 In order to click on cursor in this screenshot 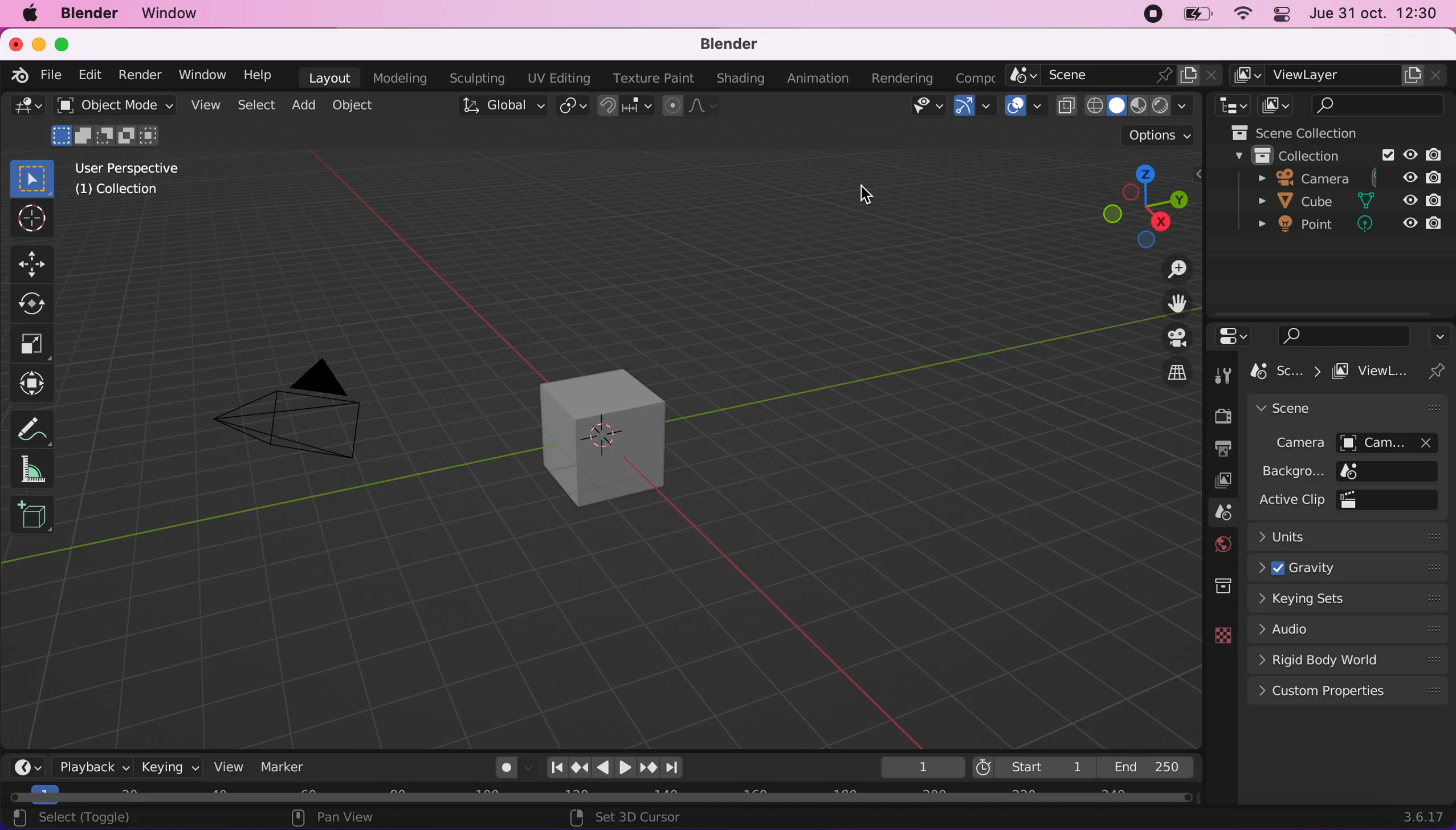, I will do `click(31, 219)`.